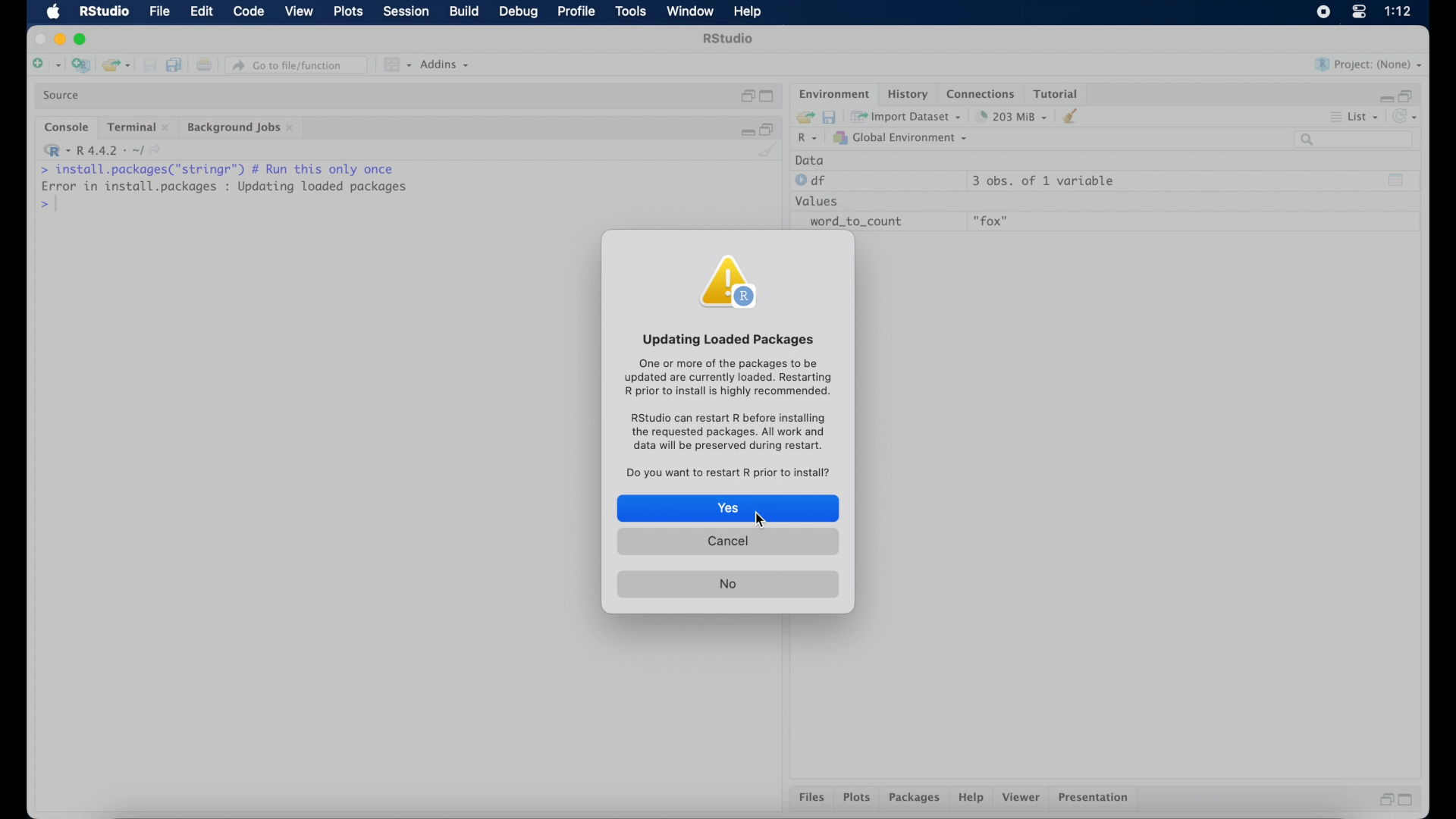 Image resolution: width=1456 pixels, height=819 pixels. Describe the element at coordinates (1384, 799) in the screenshot. I see `restore down` at that location.